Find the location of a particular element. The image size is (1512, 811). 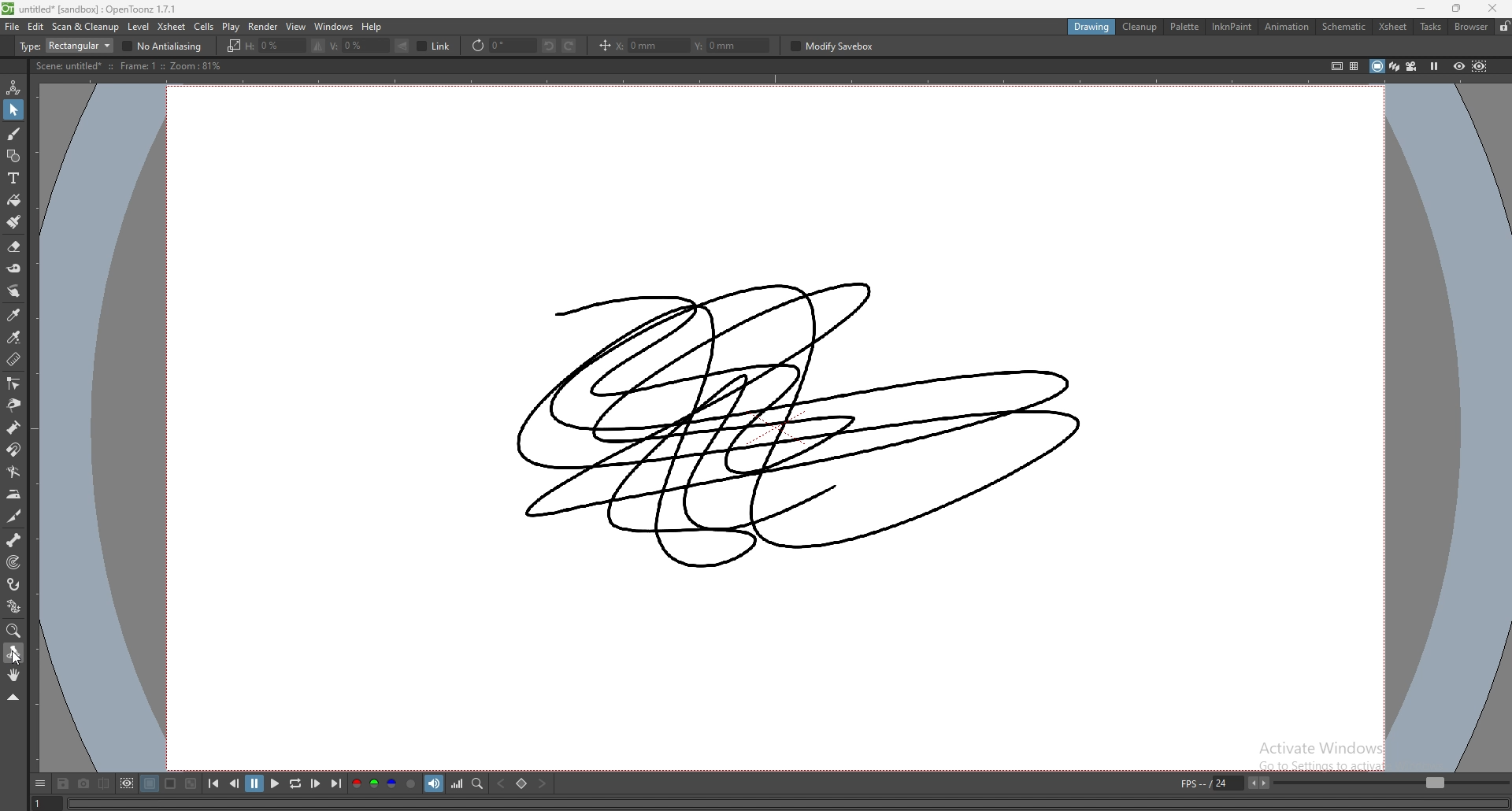

palette is located at coordinates (1185, 28).